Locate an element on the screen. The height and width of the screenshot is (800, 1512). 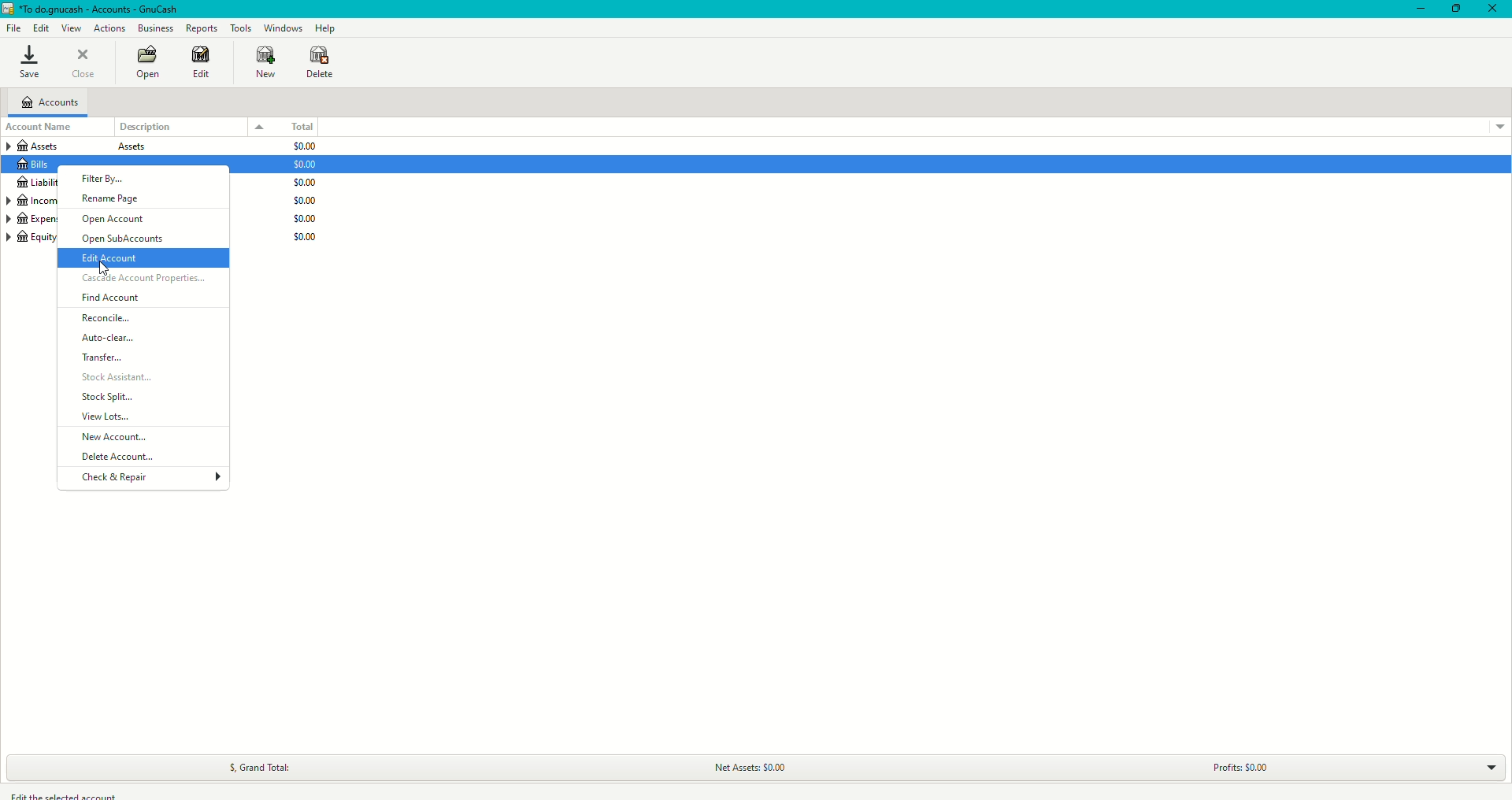
Actions is located at coordinates (108, 27).